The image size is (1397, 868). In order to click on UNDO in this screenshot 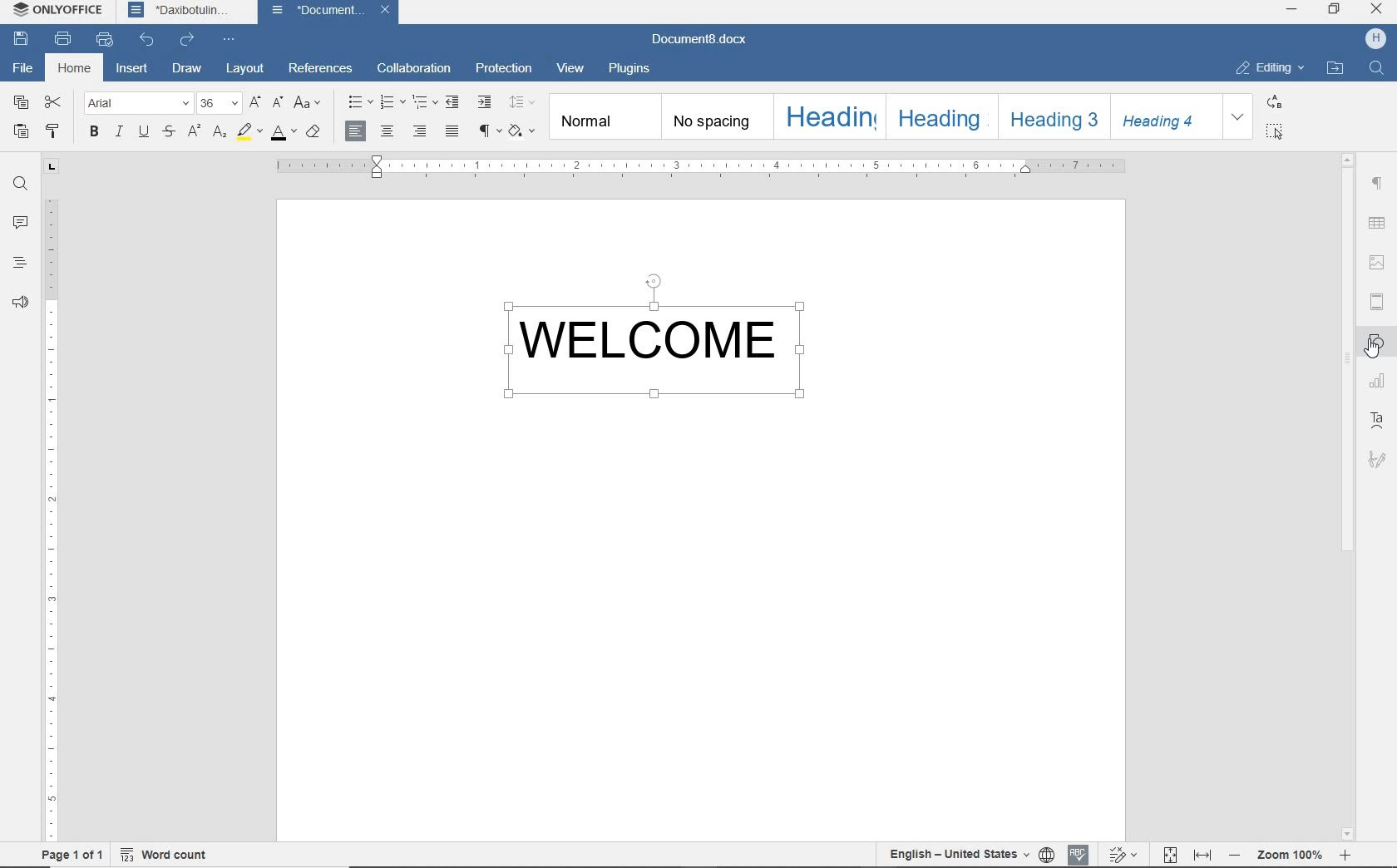, I will do `click(148, 40)`.